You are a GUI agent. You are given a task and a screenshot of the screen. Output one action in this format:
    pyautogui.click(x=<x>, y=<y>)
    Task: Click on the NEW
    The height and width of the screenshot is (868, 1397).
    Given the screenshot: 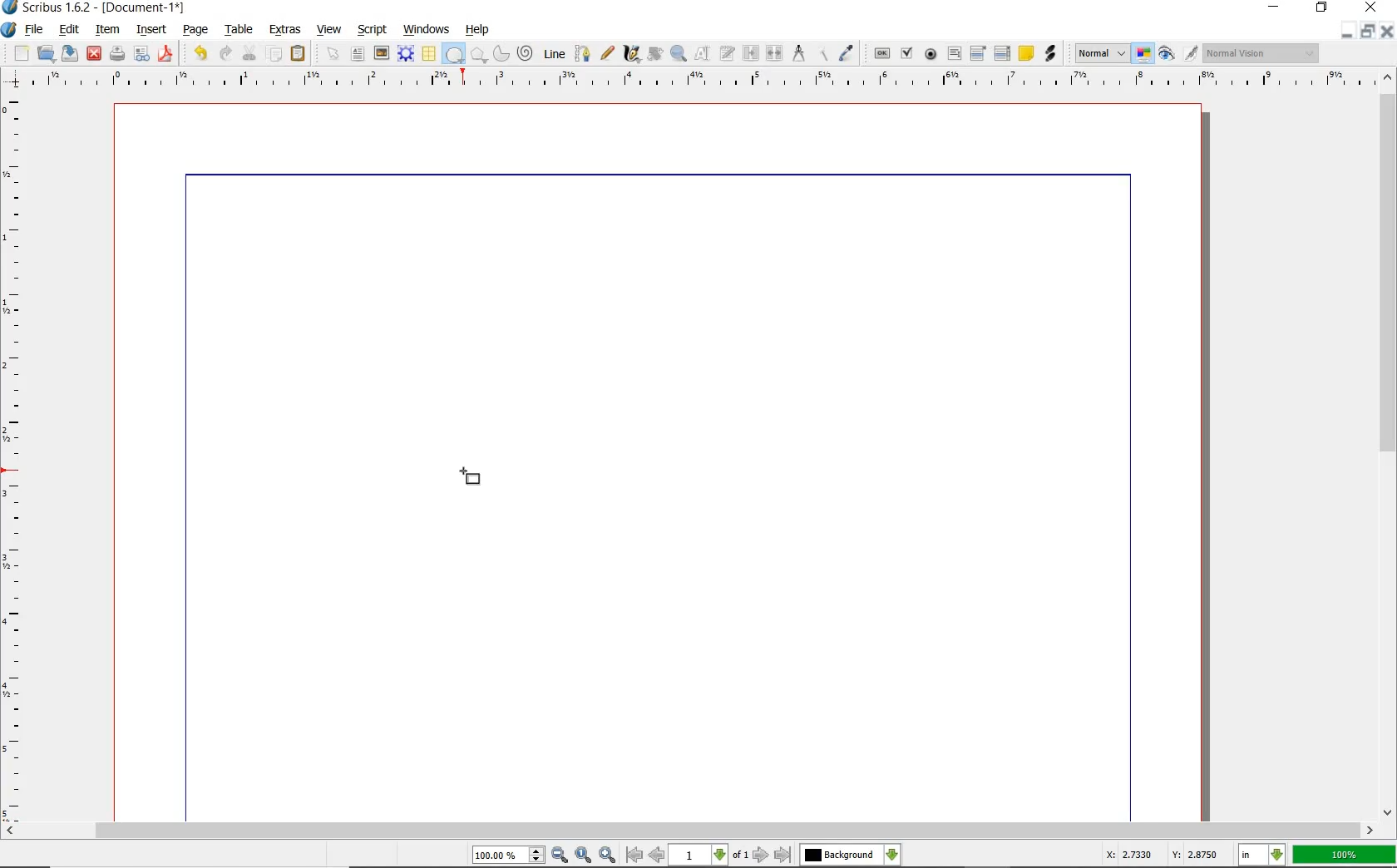 What is the action you would take?
    pyautogui.click(x=21, y=53)
    